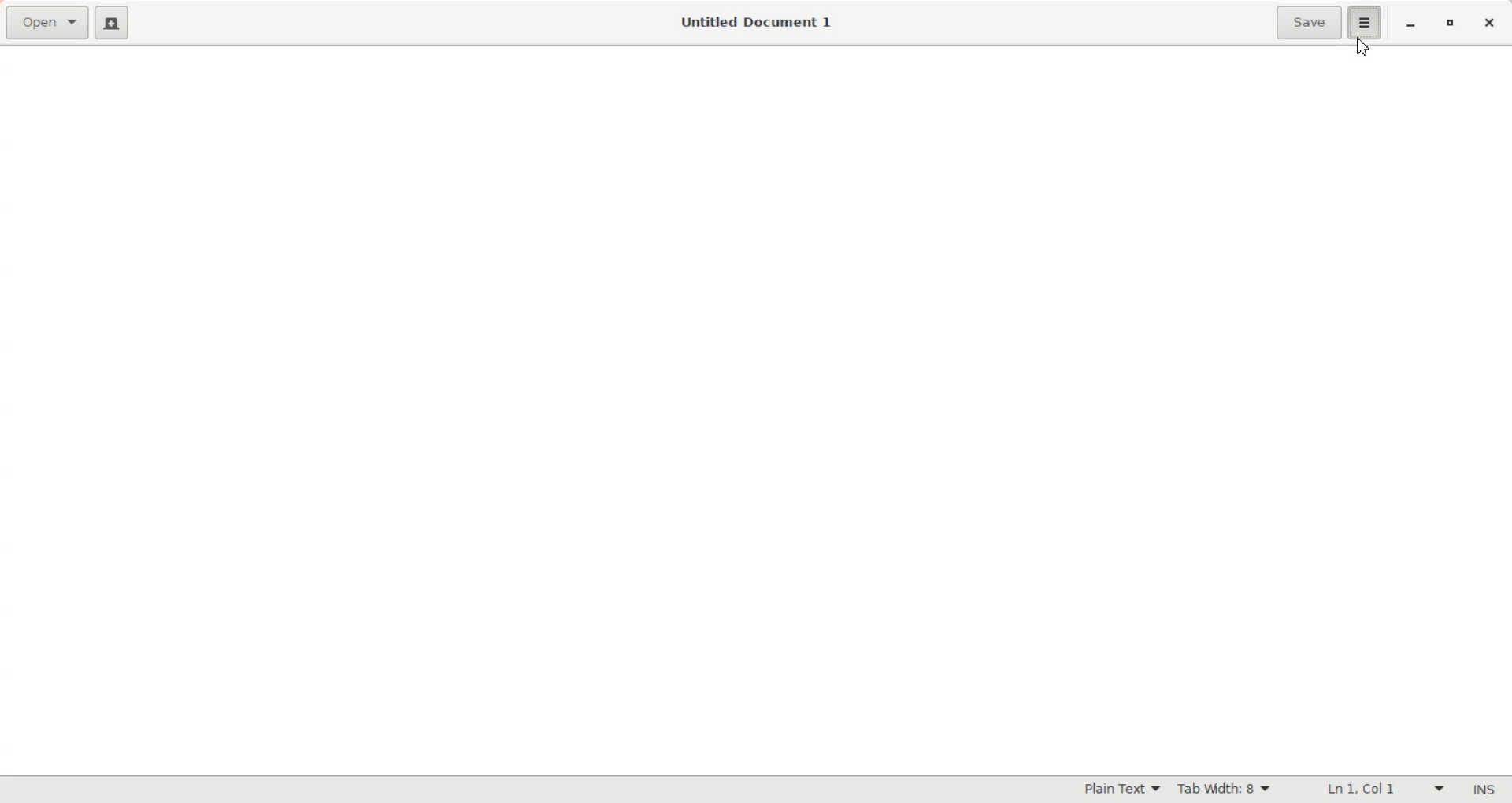 This screenshot has width=1512, height=803. Describe the element at coordinates (1362, 48) in the screenshot. I see `Cursor` at that location.